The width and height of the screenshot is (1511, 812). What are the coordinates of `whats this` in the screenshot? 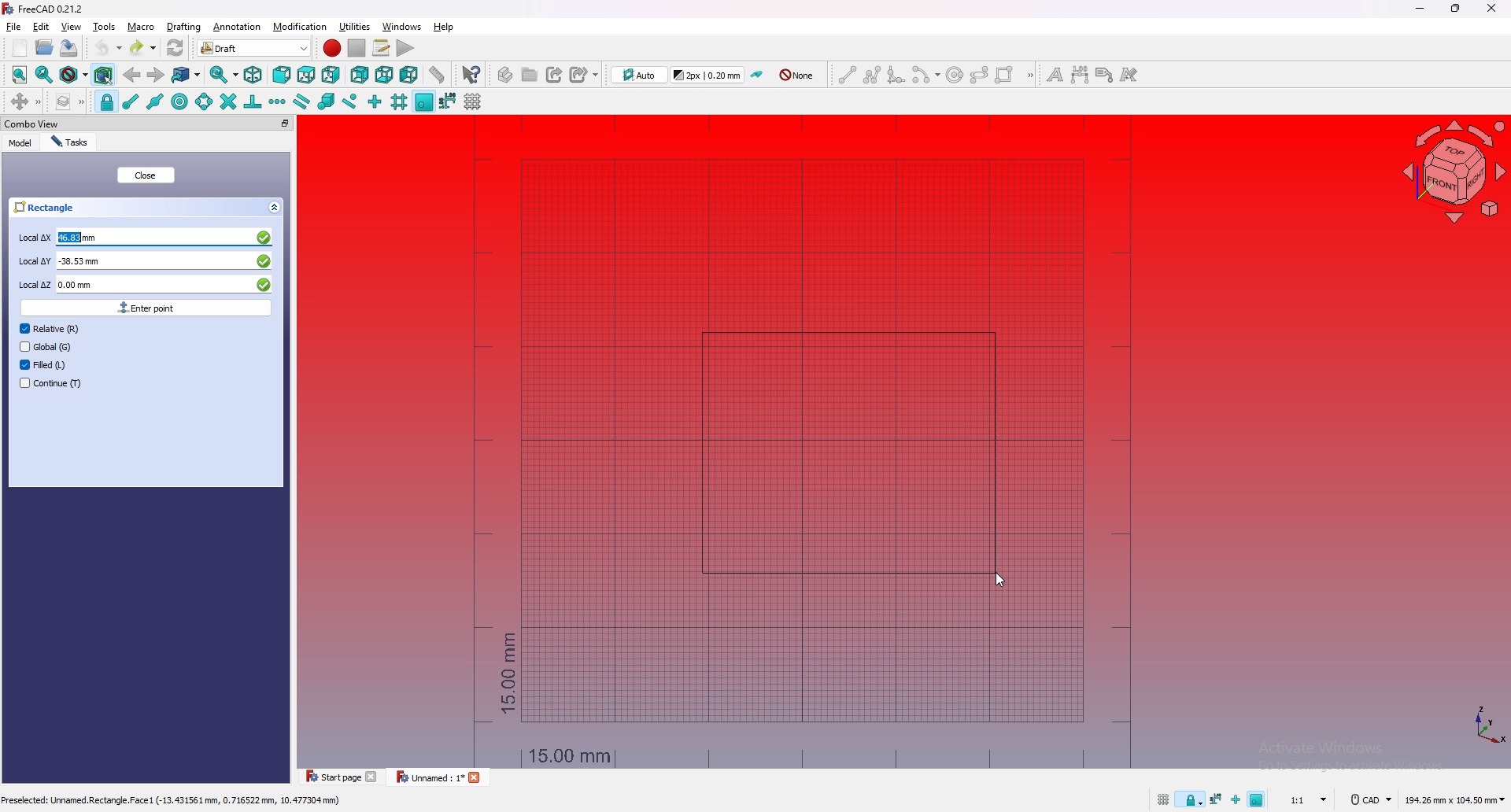 It's located at (471, 75).